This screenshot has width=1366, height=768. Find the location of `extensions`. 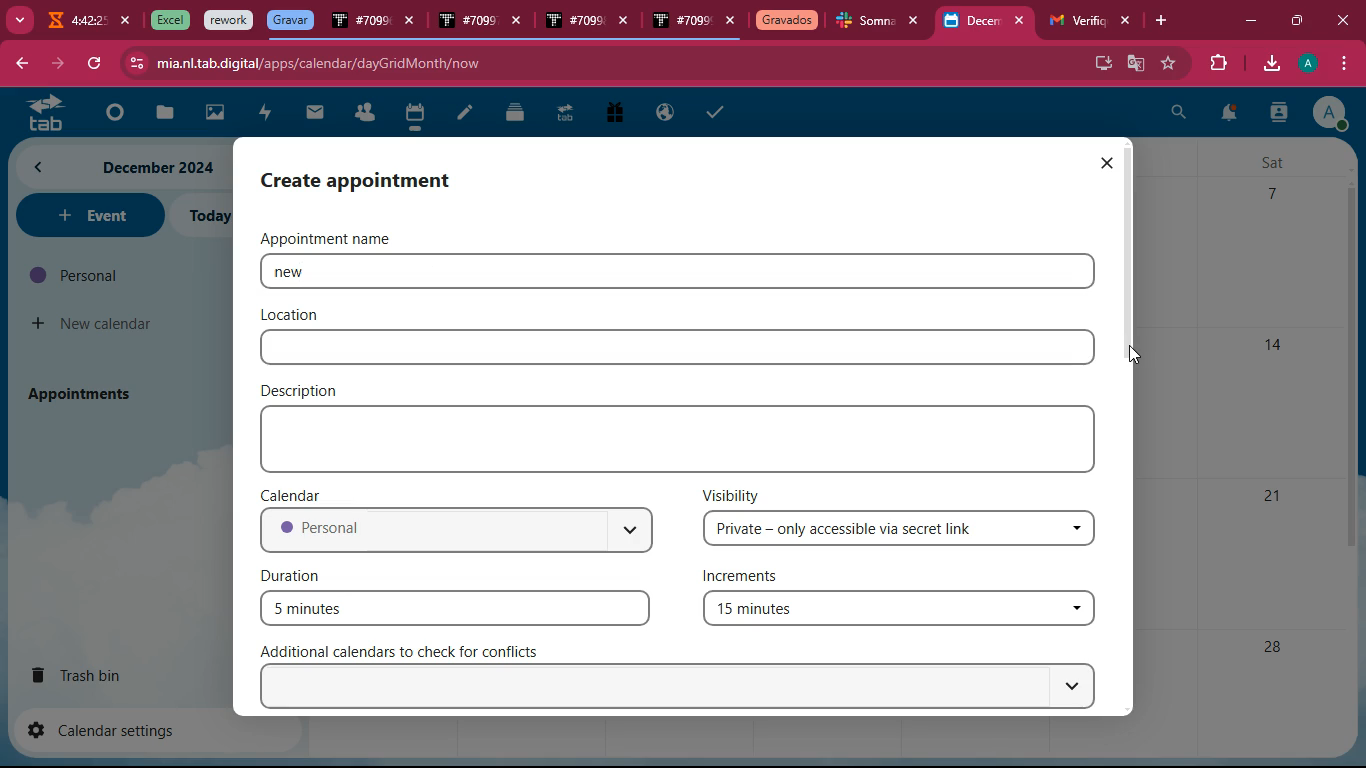

extensions is located at coordinates (1215, 64).